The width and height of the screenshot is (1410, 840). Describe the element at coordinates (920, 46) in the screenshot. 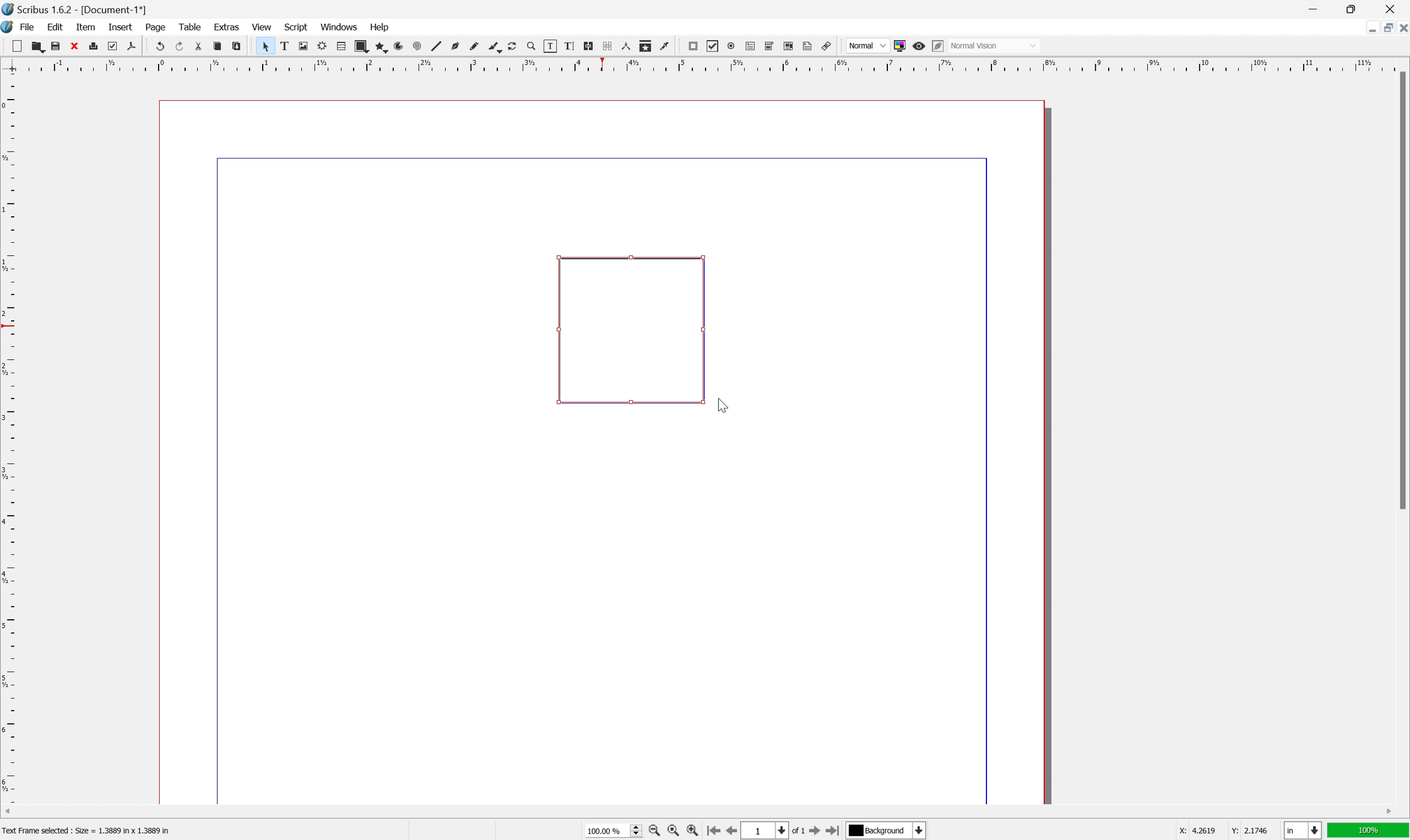

I see `preview mode` at that location.